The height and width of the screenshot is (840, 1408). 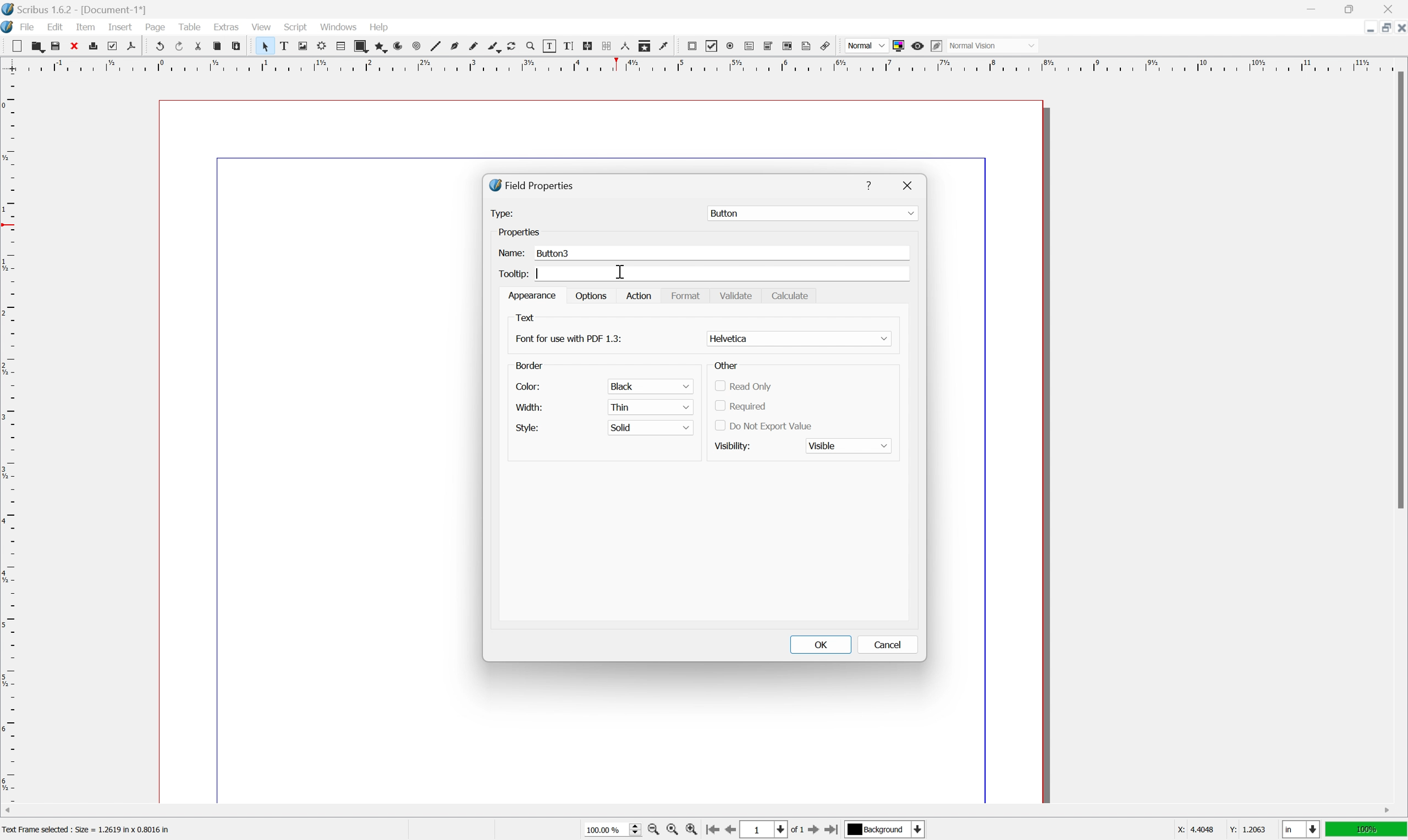 What do you see at coordinates (161, 46) in the screenshot?
I see `undo` at bounding box center [161, 46].